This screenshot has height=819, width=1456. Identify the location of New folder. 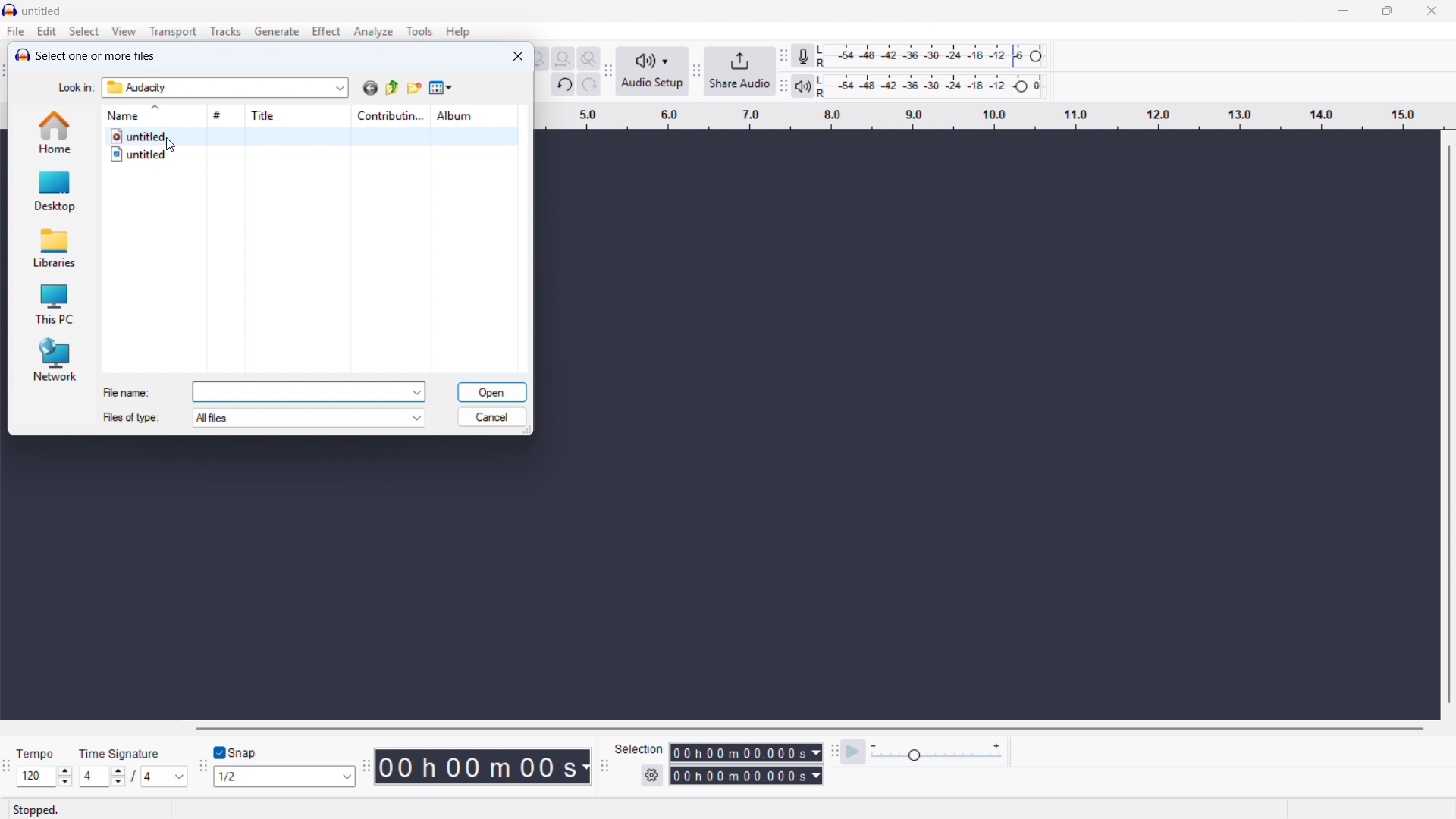
(413, 88).